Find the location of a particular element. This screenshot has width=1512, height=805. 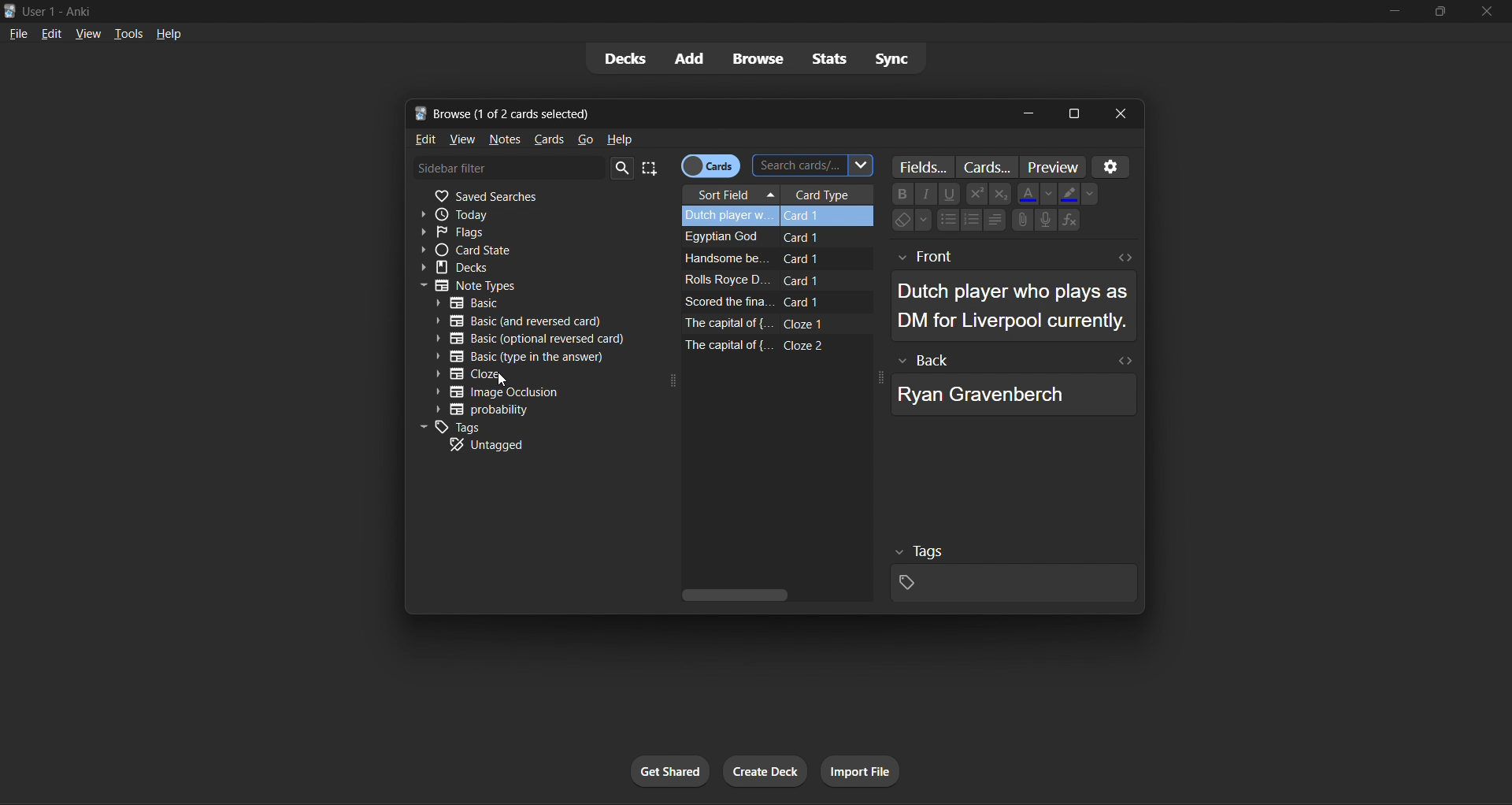

help is located at coordinates (621, 138).